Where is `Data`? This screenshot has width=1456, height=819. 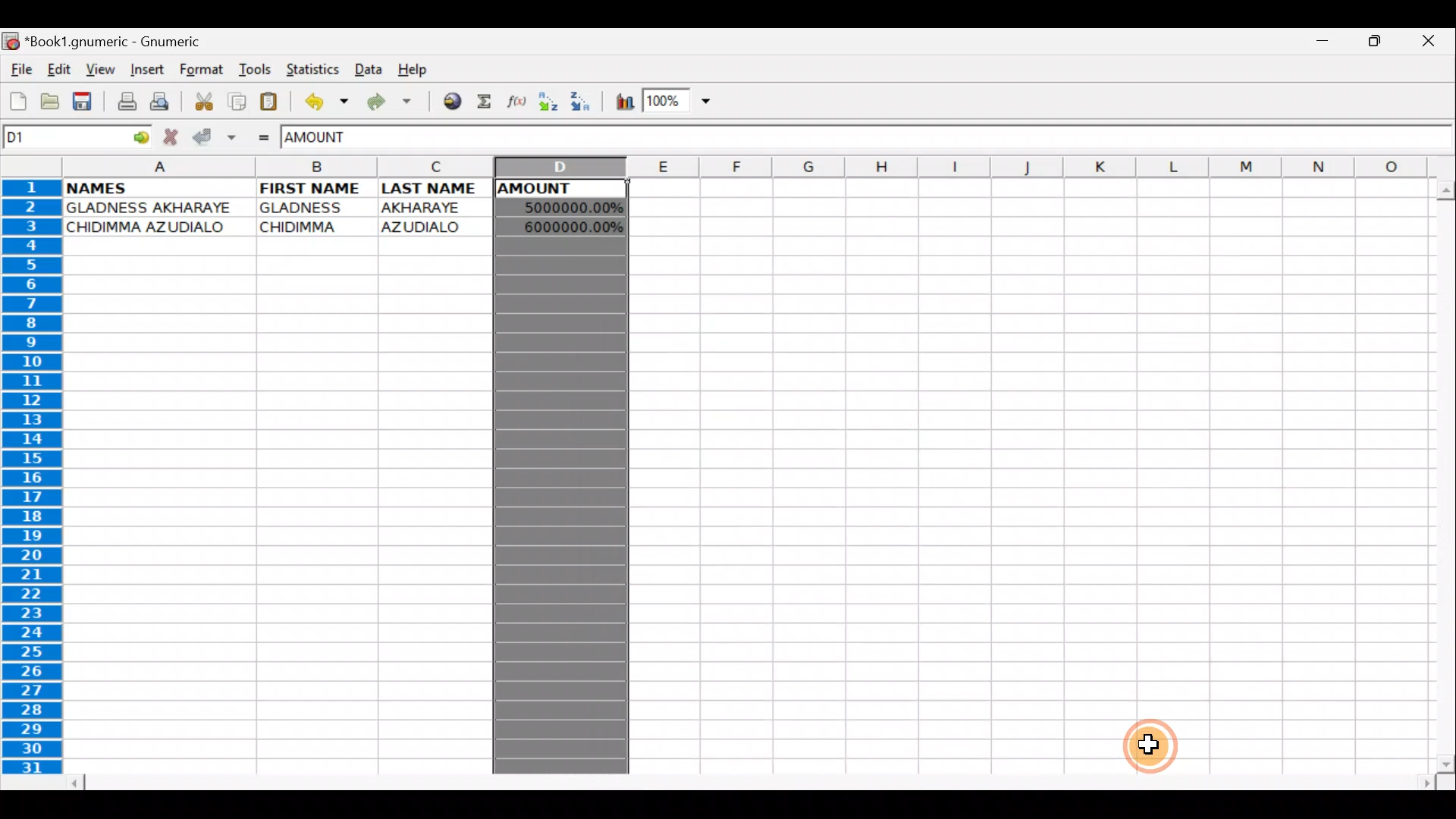
Data is located at coordinates (368, 68).